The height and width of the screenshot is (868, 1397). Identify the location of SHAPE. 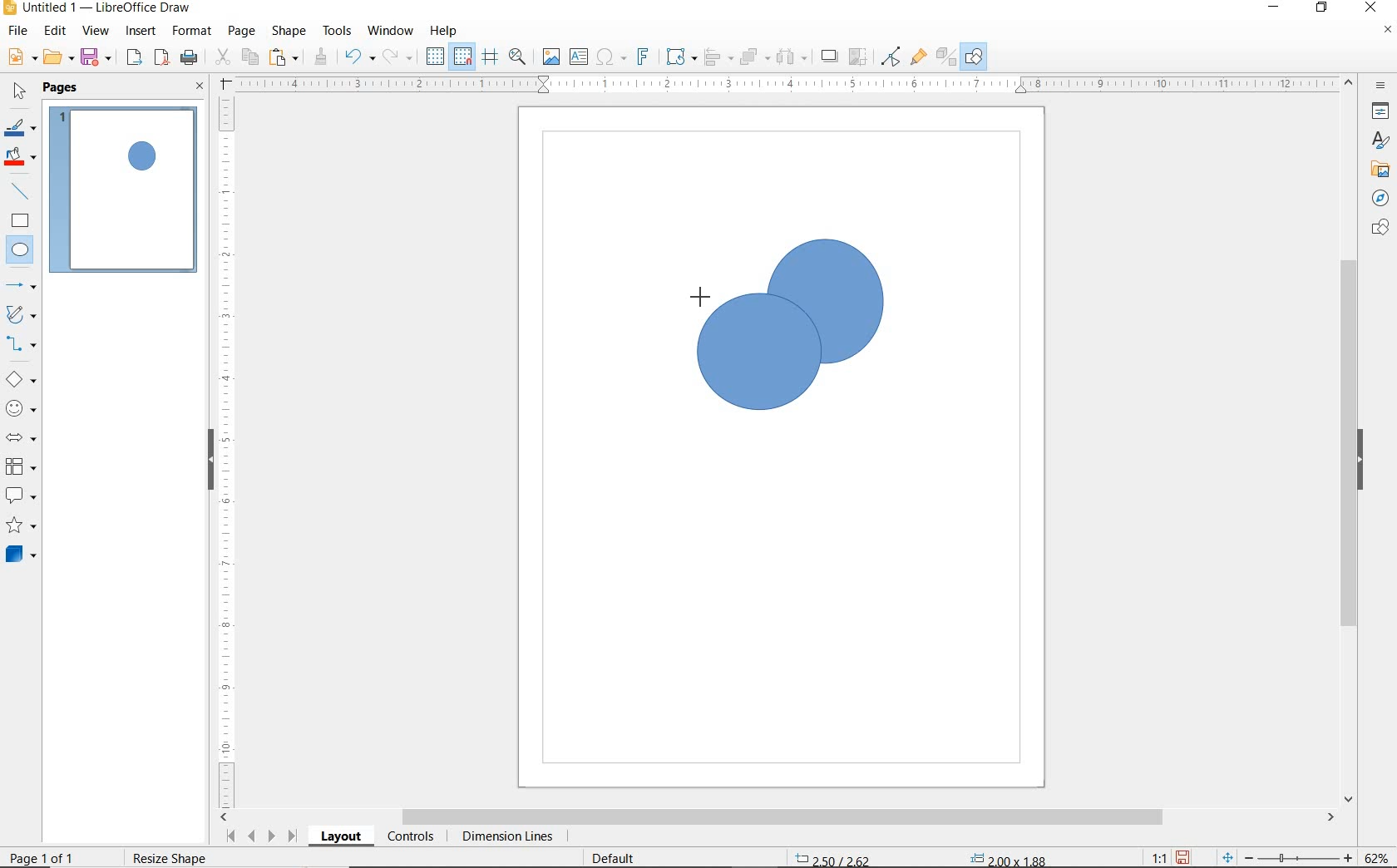
(290, 33).